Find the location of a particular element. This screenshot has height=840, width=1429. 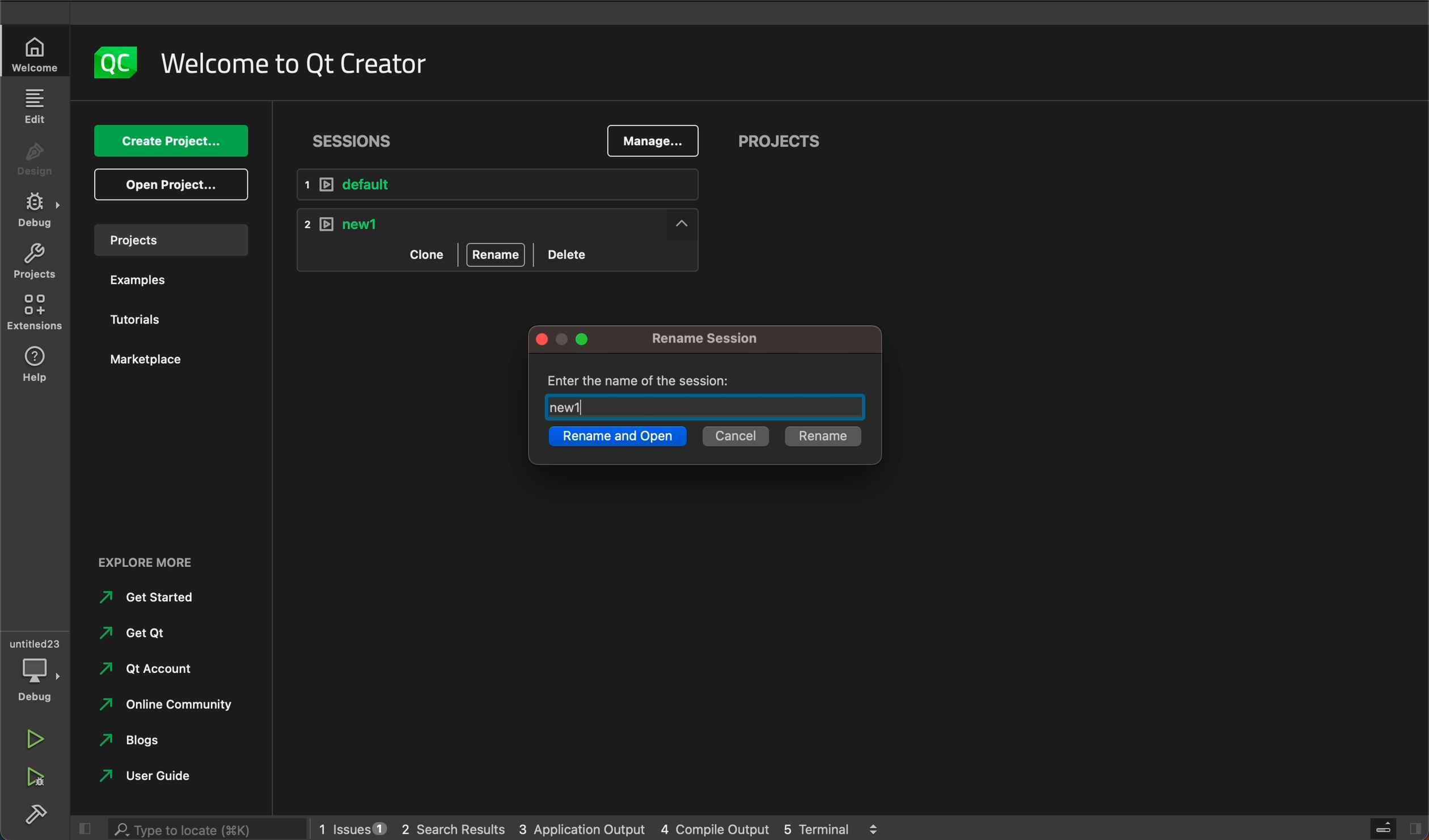

projects is located at coordinates (167, 239).